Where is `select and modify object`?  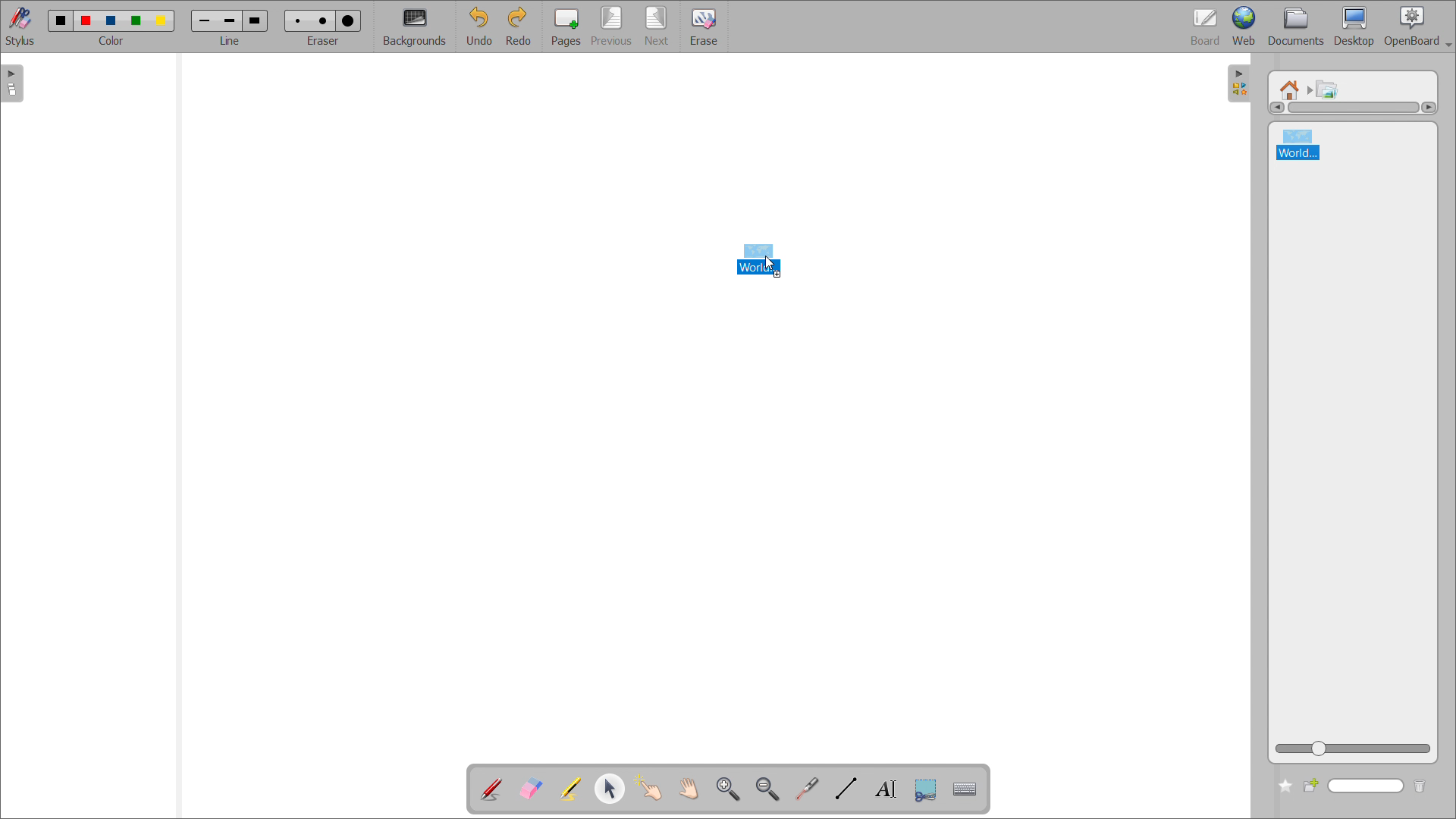
select and modify object is located at coordinates (609, 789).